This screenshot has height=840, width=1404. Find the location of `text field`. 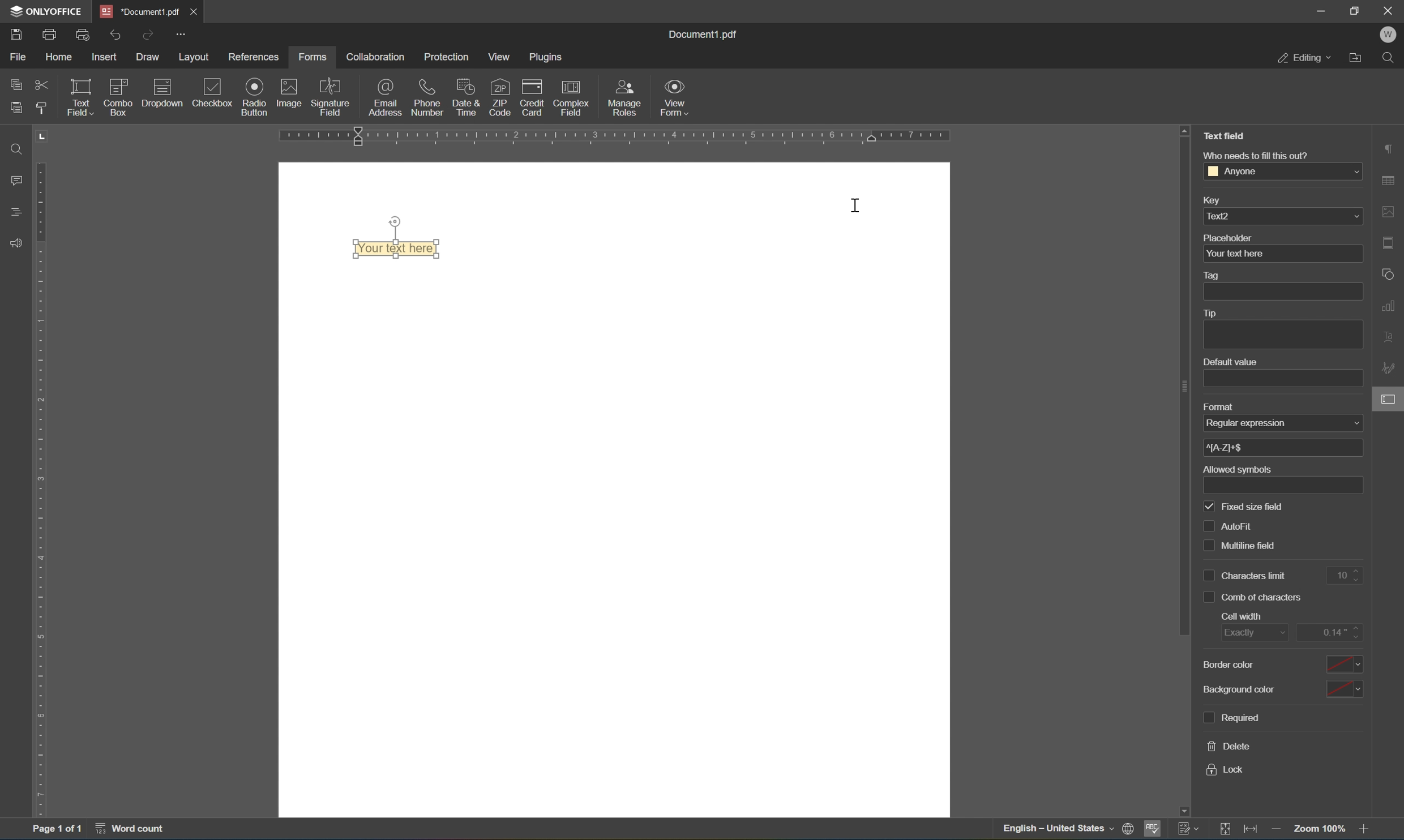

text field is located at coordinates (78, 96).